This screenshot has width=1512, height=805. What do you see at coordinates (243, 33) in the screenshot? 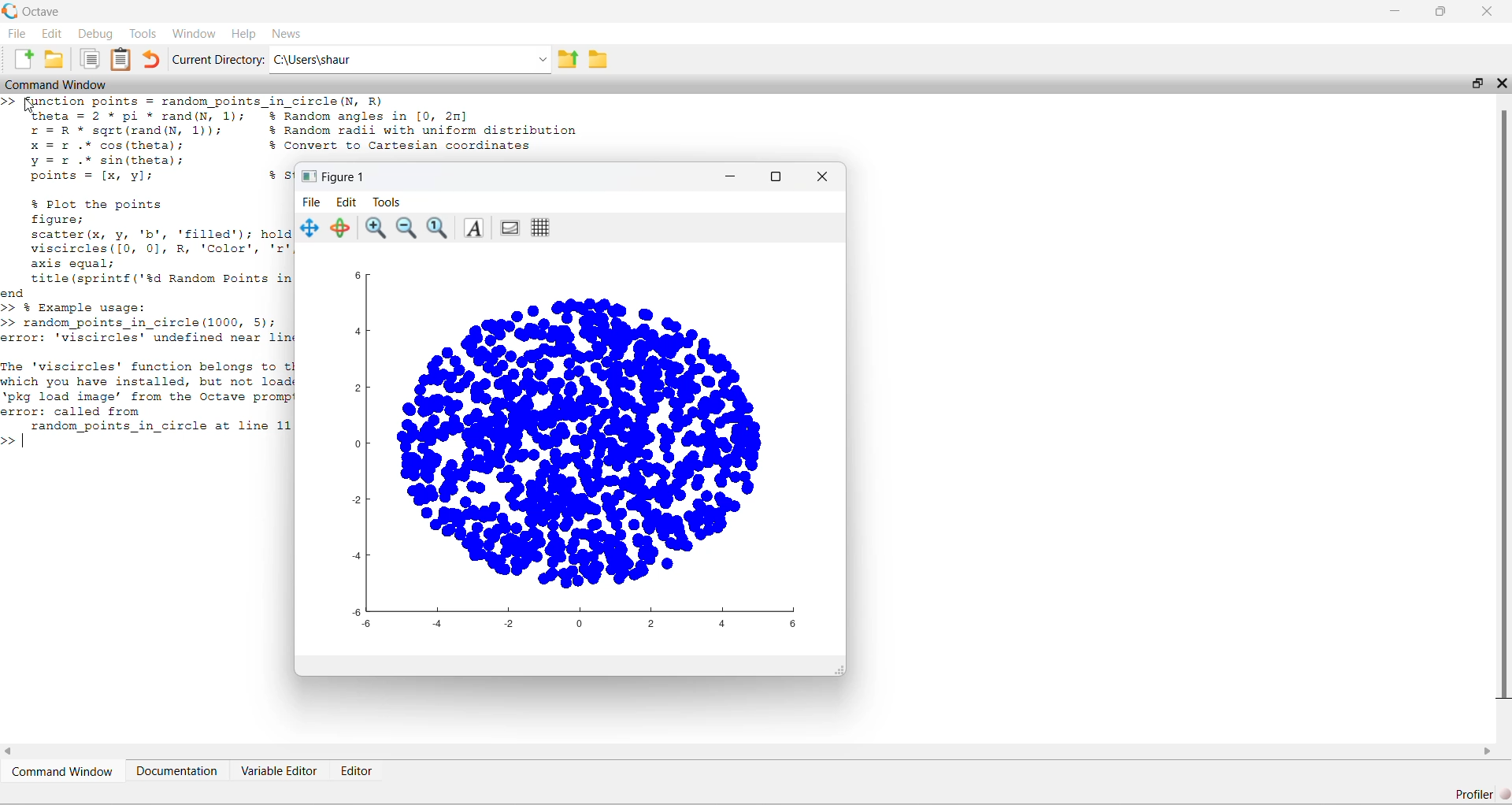
I see `Help` at bounding box center [243, 33].